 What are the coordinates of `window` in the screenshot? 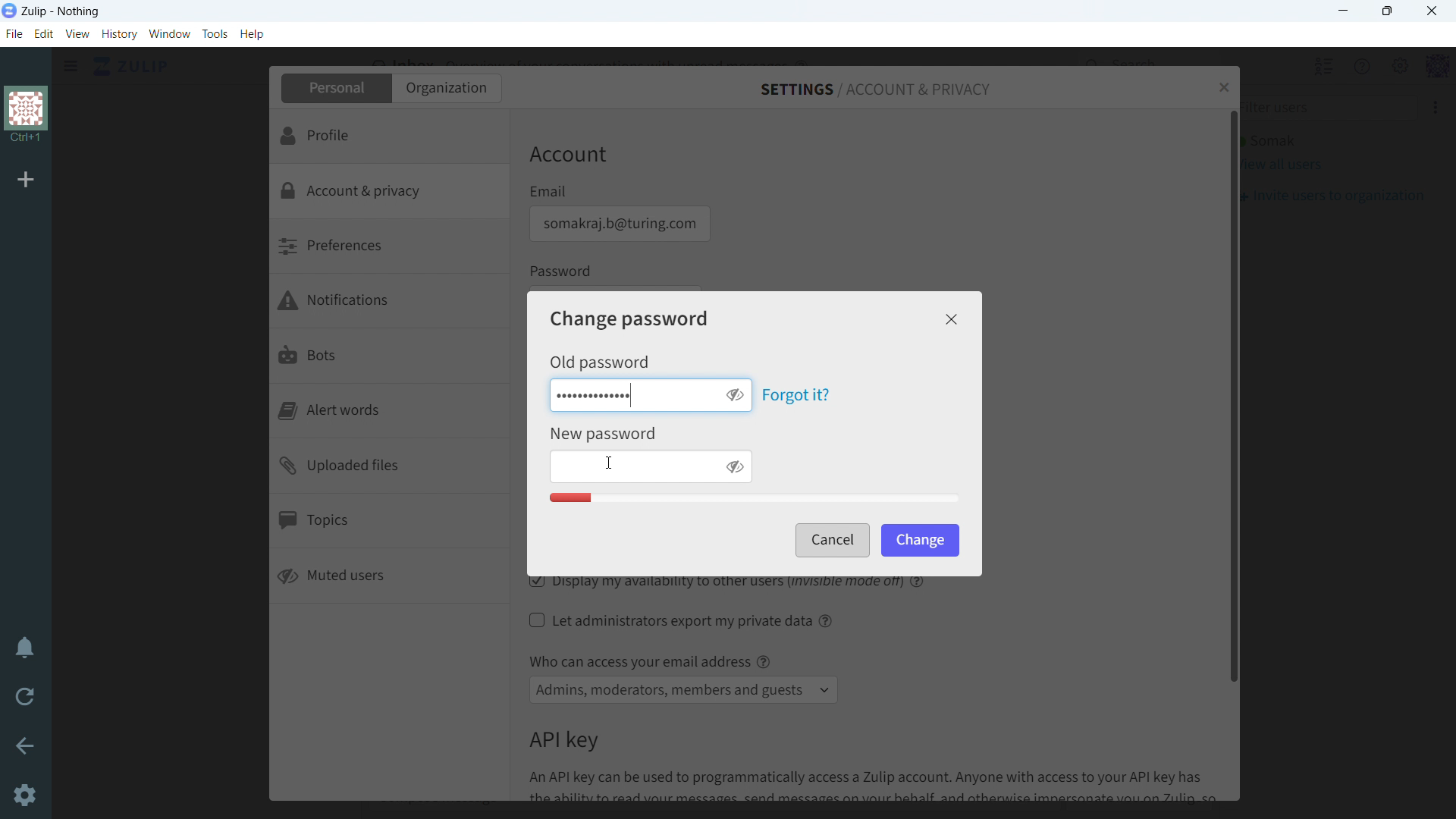 It's located at (171, 34).